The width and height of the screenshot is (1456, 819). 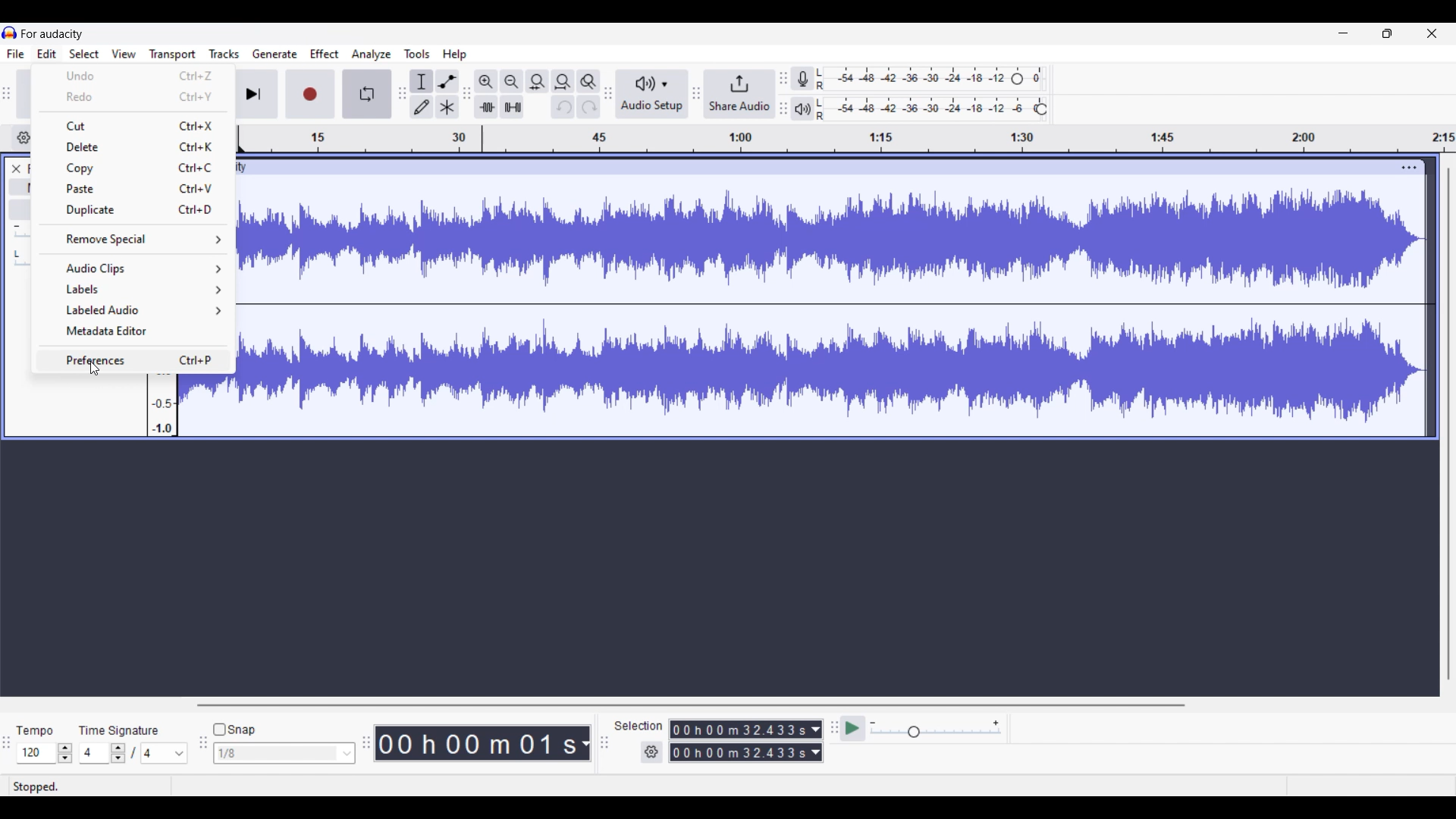 What do you see at coordinates (1449, 424) in the screenshot?
I see `Vertical scroll bar` at bounding box center [1449, 424].